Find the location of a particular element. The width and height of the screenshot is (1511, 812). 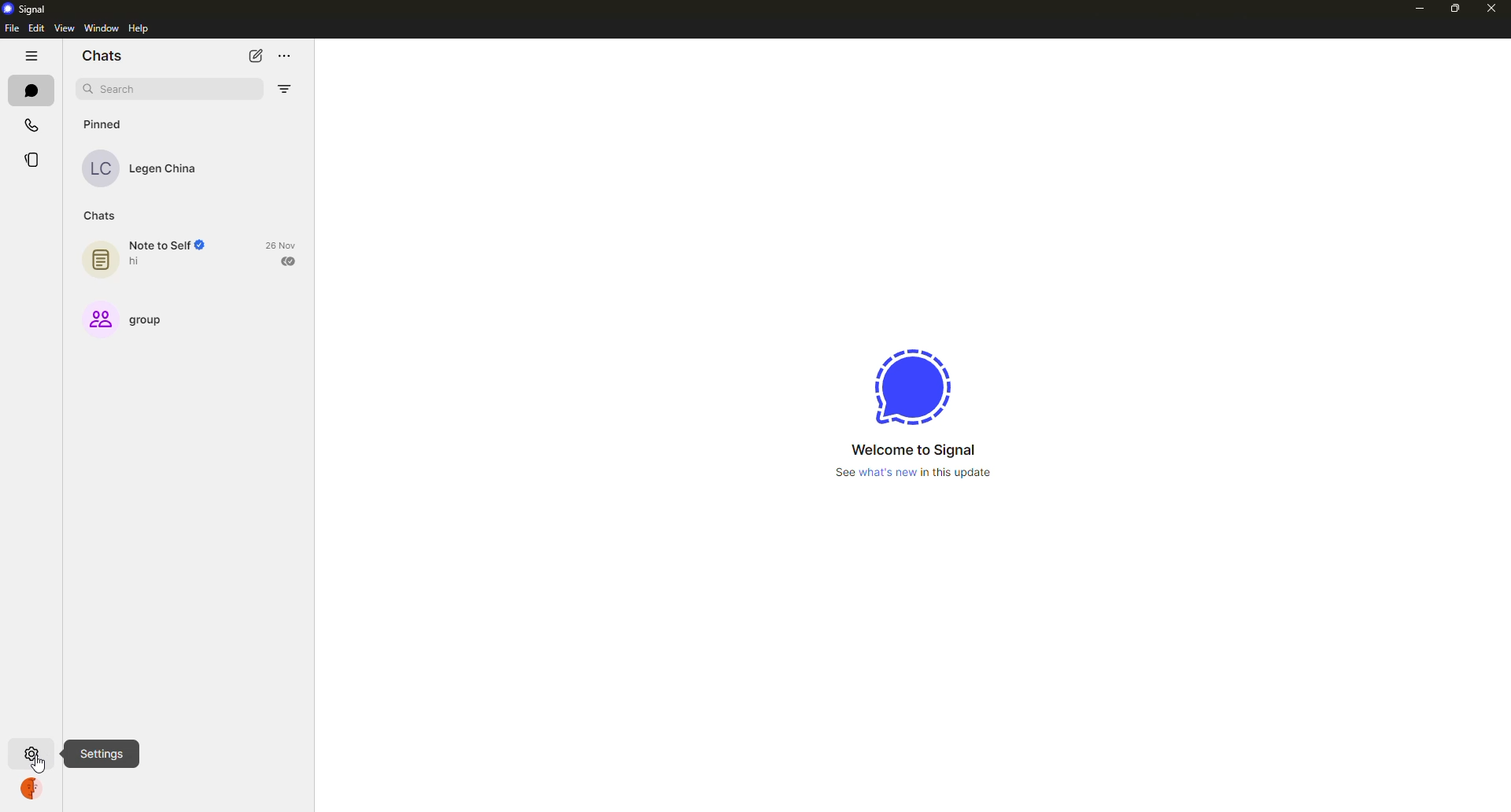

stories is located at coordinates (34, 161).